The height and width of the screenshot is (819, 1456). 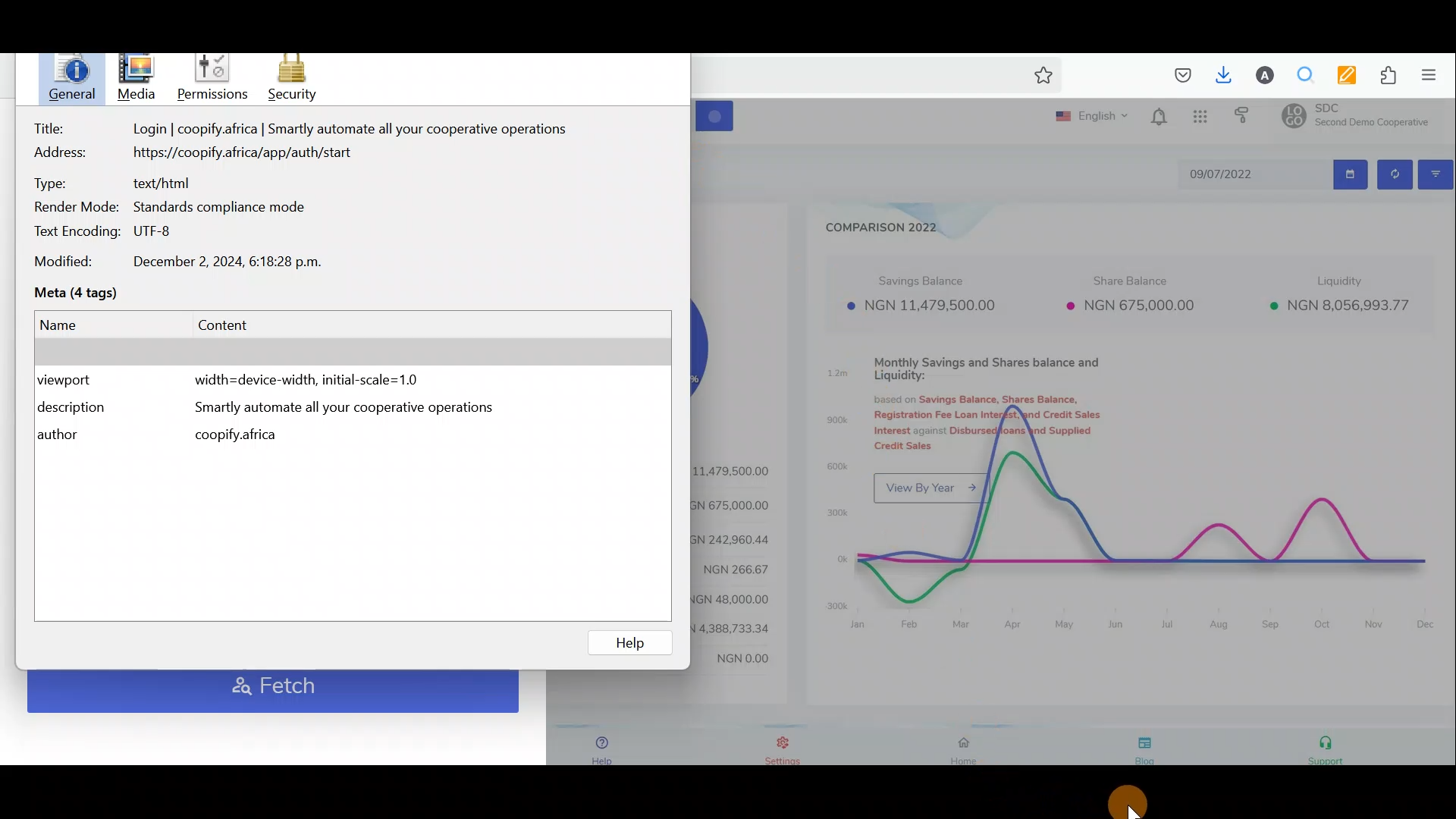 I want to click on General, so click(x=74, y=81).